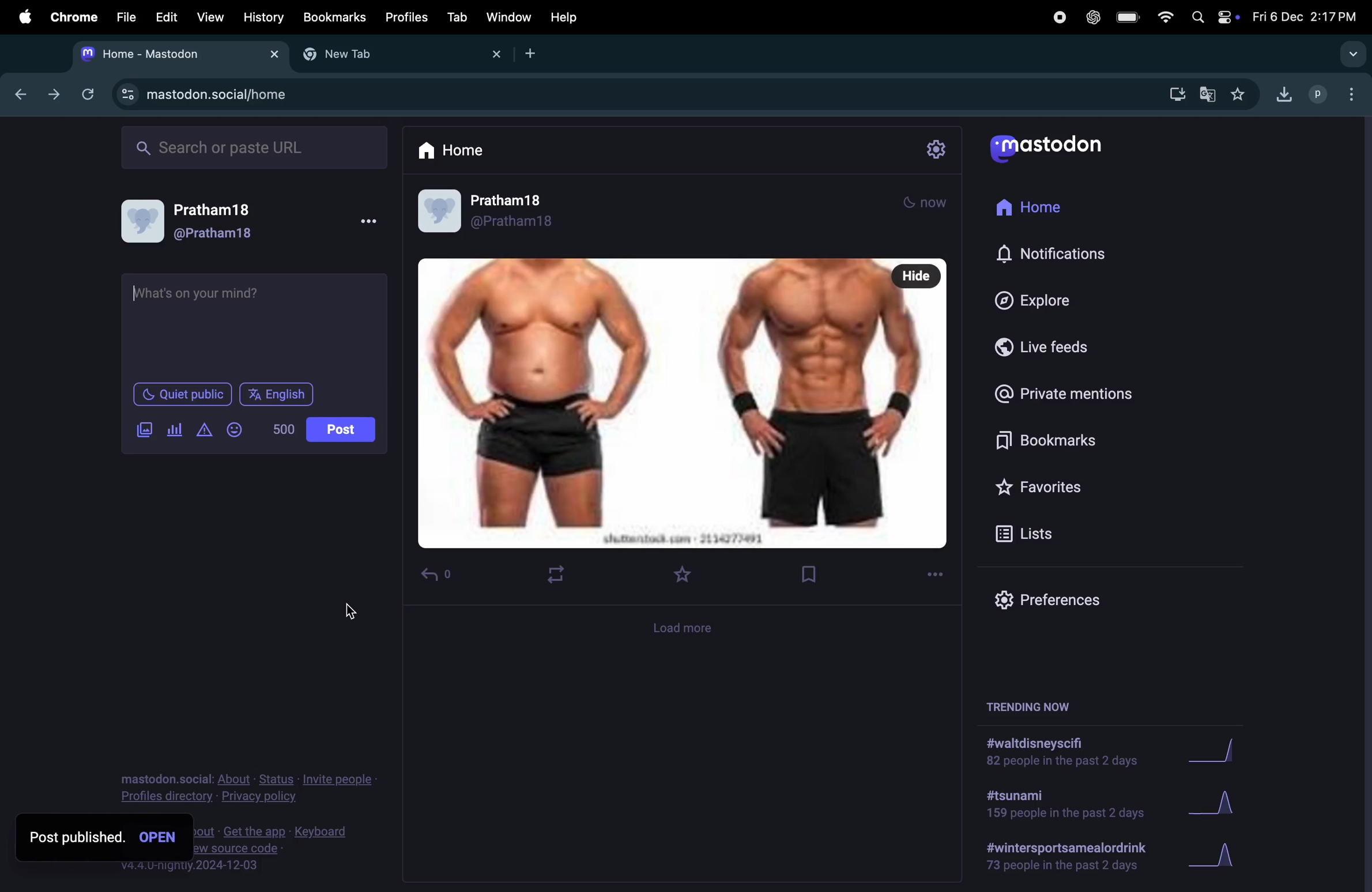  I want to click on chrome, so click(72, 17).